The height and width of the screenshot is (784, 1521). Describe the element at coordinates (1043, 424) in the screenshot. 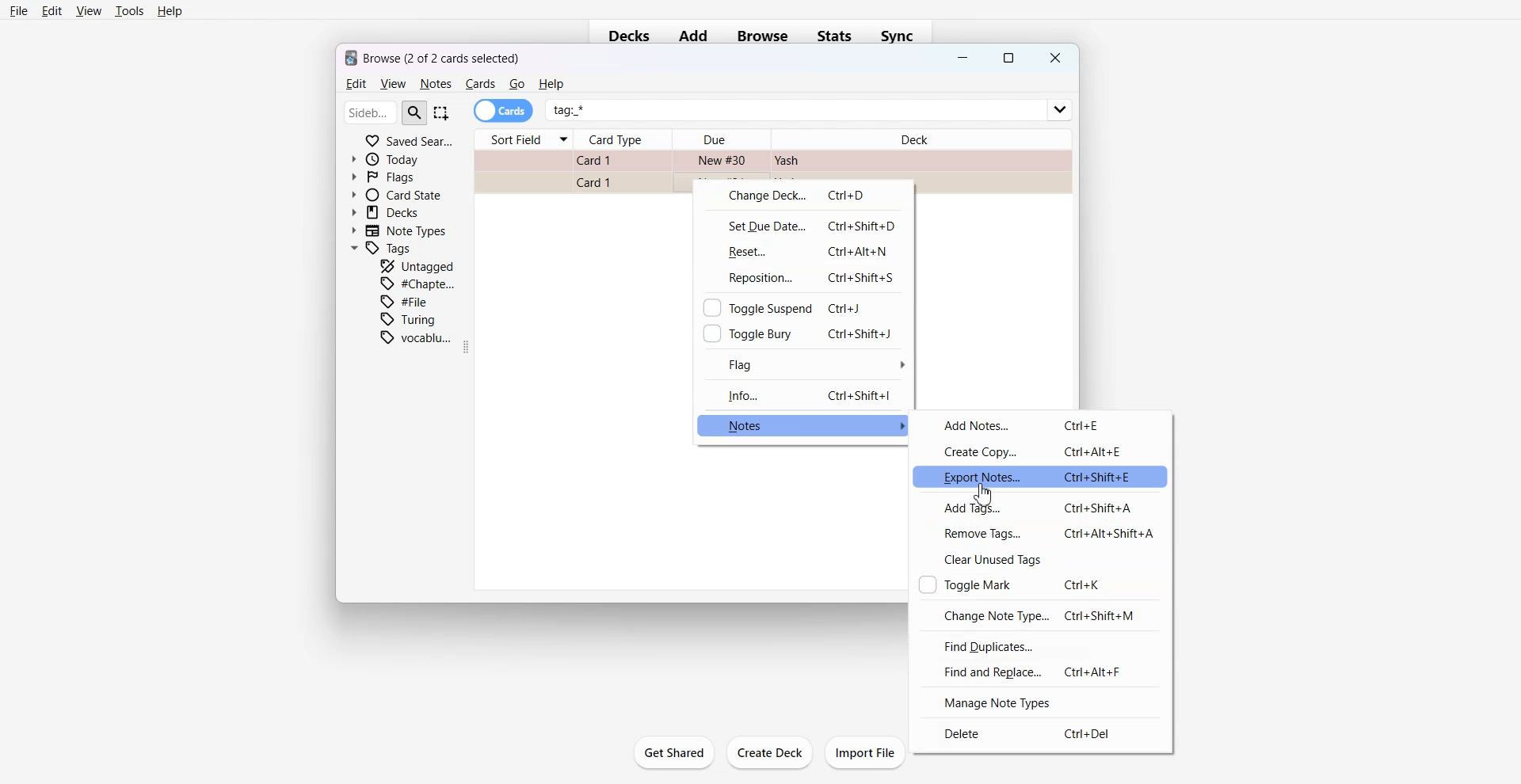

I see `Add Notes` at that location.